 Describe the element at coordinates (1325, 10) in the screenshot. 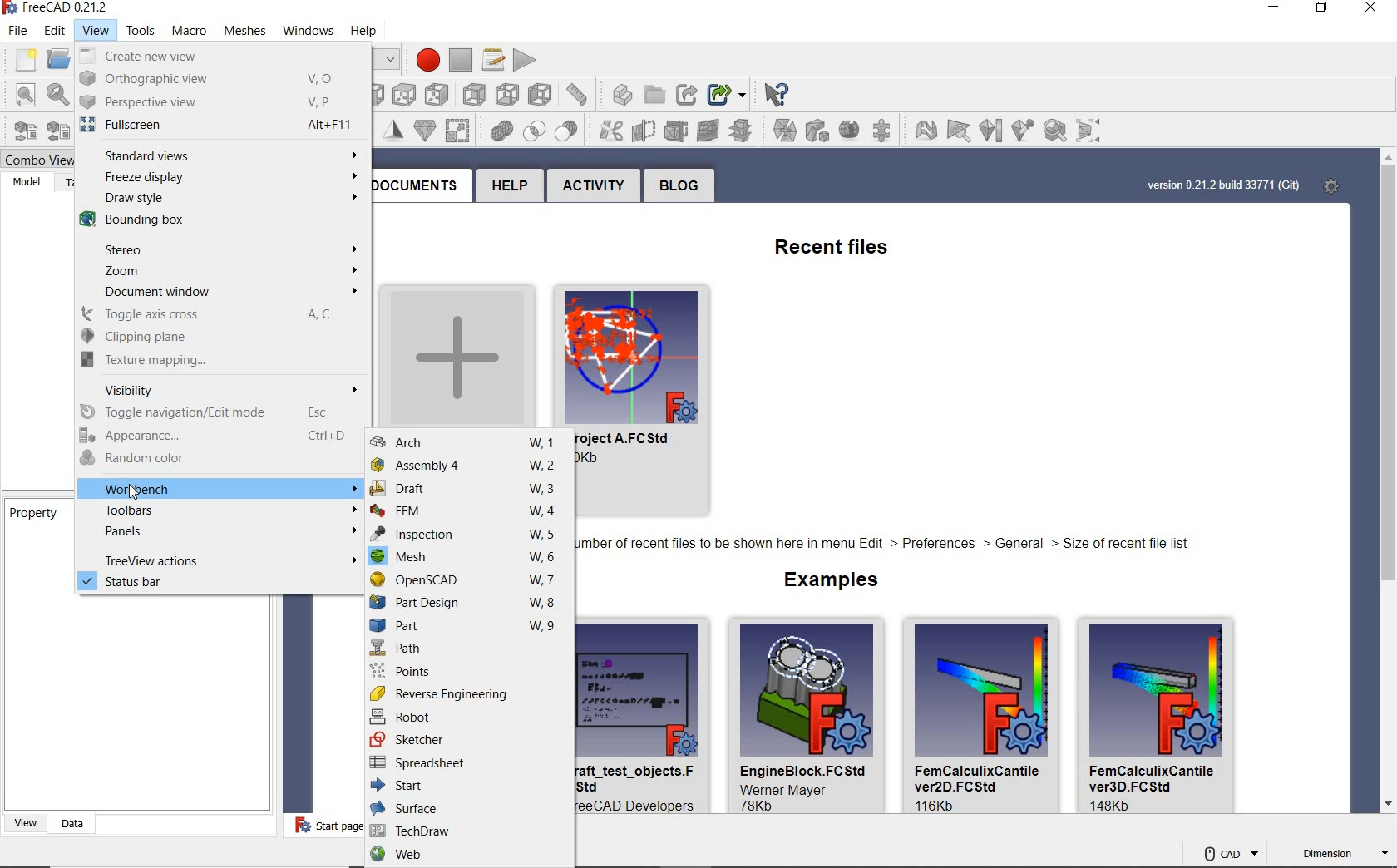

I see `restore down` at that location.